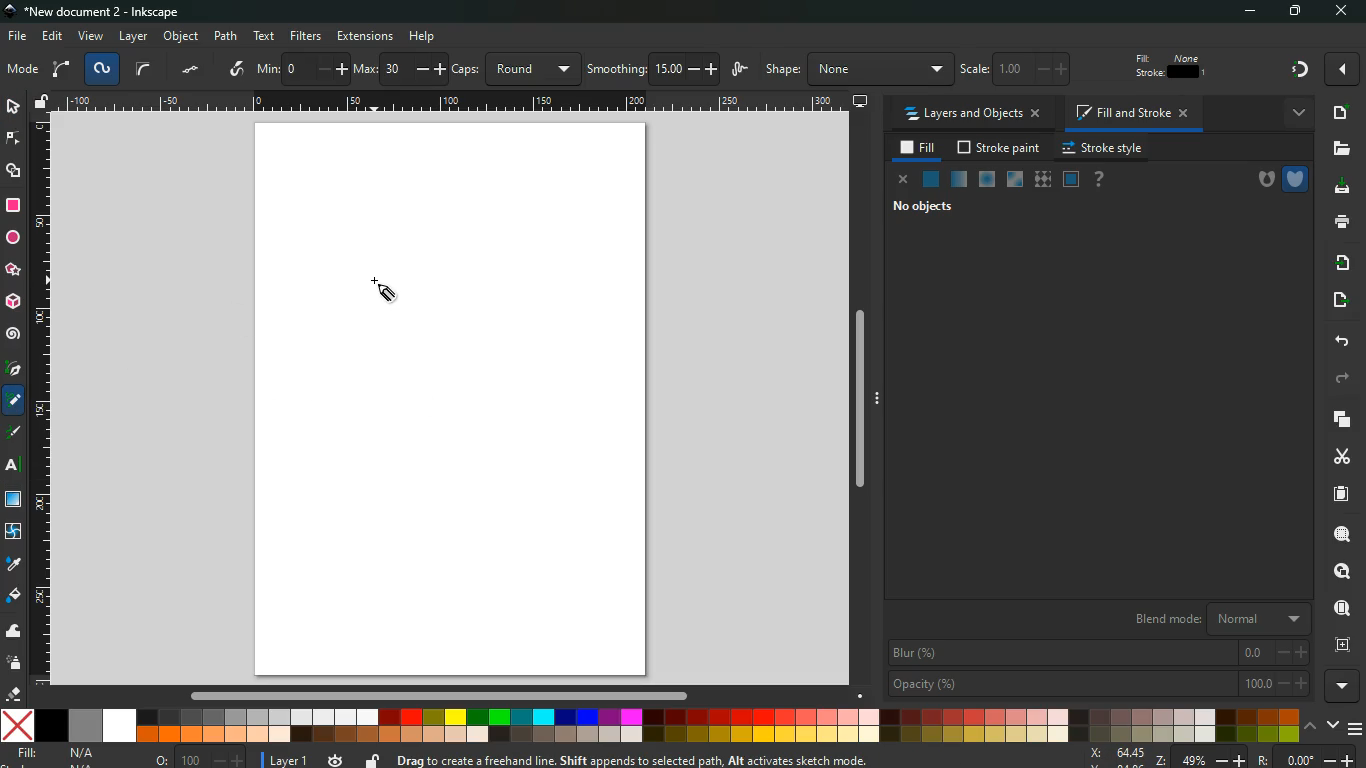  What do you see at coordinates (13, 270) in the screenshot?
I see `star` at bounding box center [13, 270].